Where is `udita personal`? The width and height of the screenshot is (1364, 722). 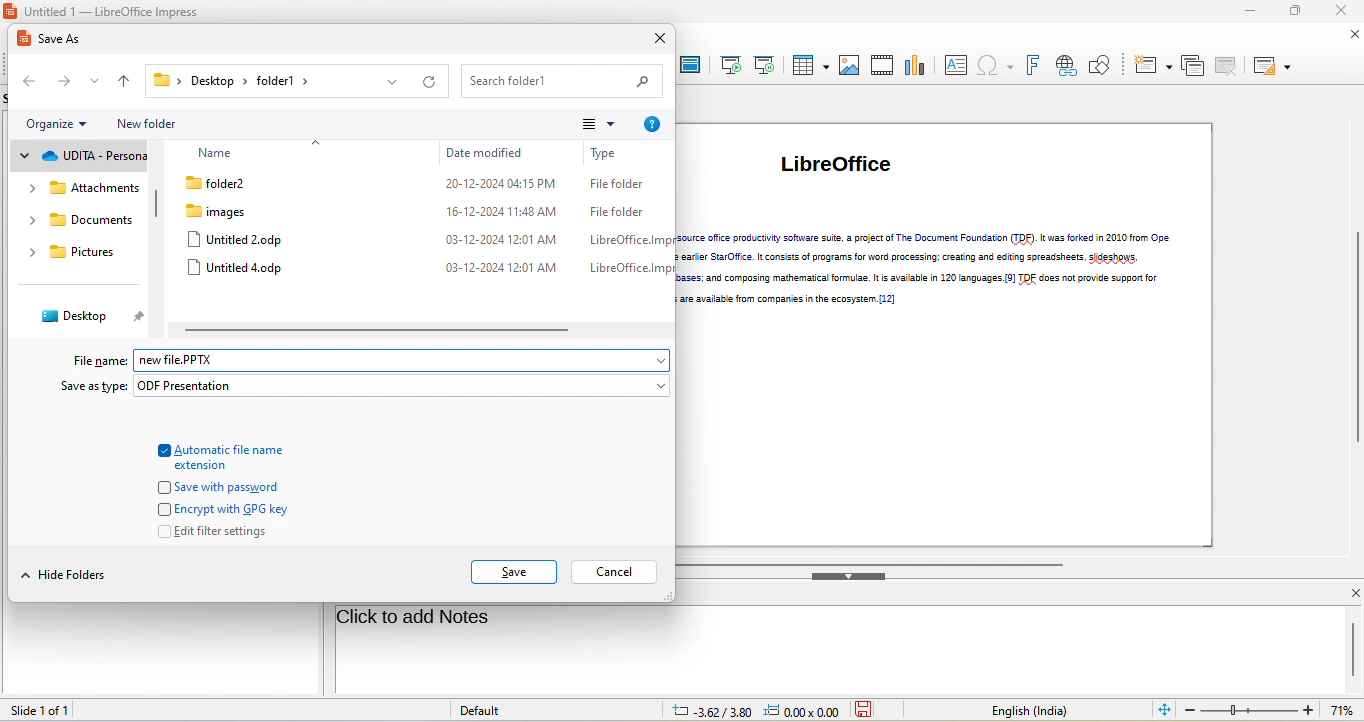
udita personal is located at coordinates (85, 156).